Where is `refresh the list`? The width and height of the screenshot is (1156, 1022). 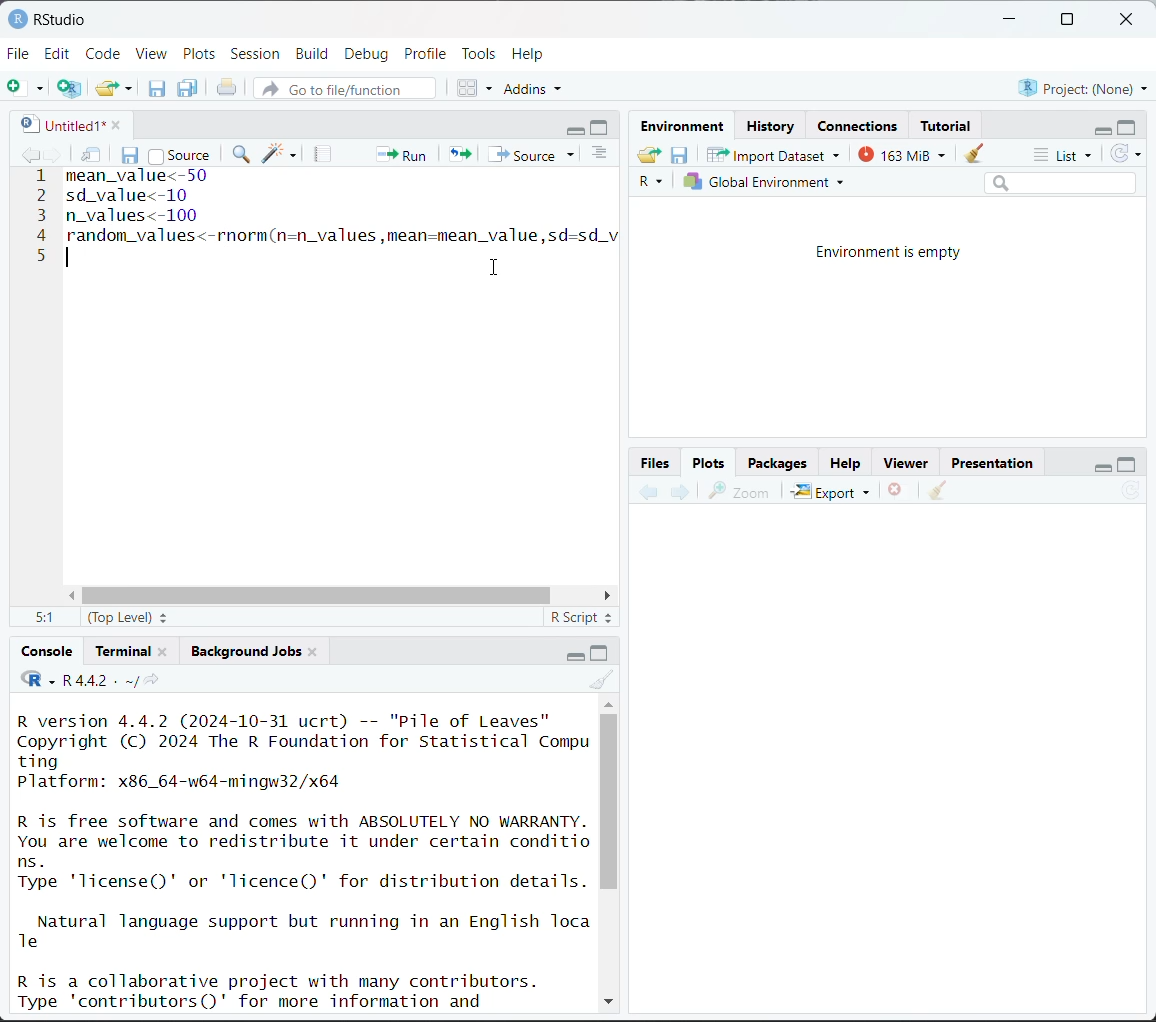
refresh the list is located at coordinates (1126, 154).